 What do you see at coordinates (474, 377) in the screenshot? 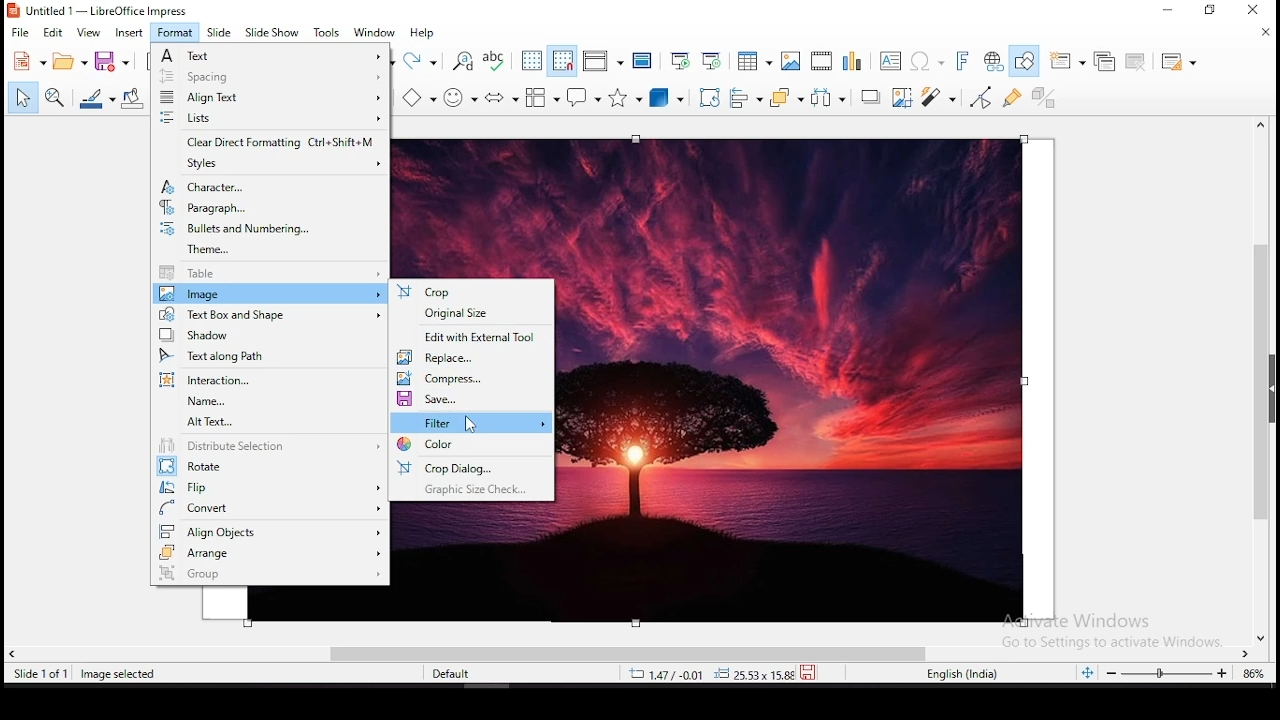
I see `compress` at bounding box center [474, 377].